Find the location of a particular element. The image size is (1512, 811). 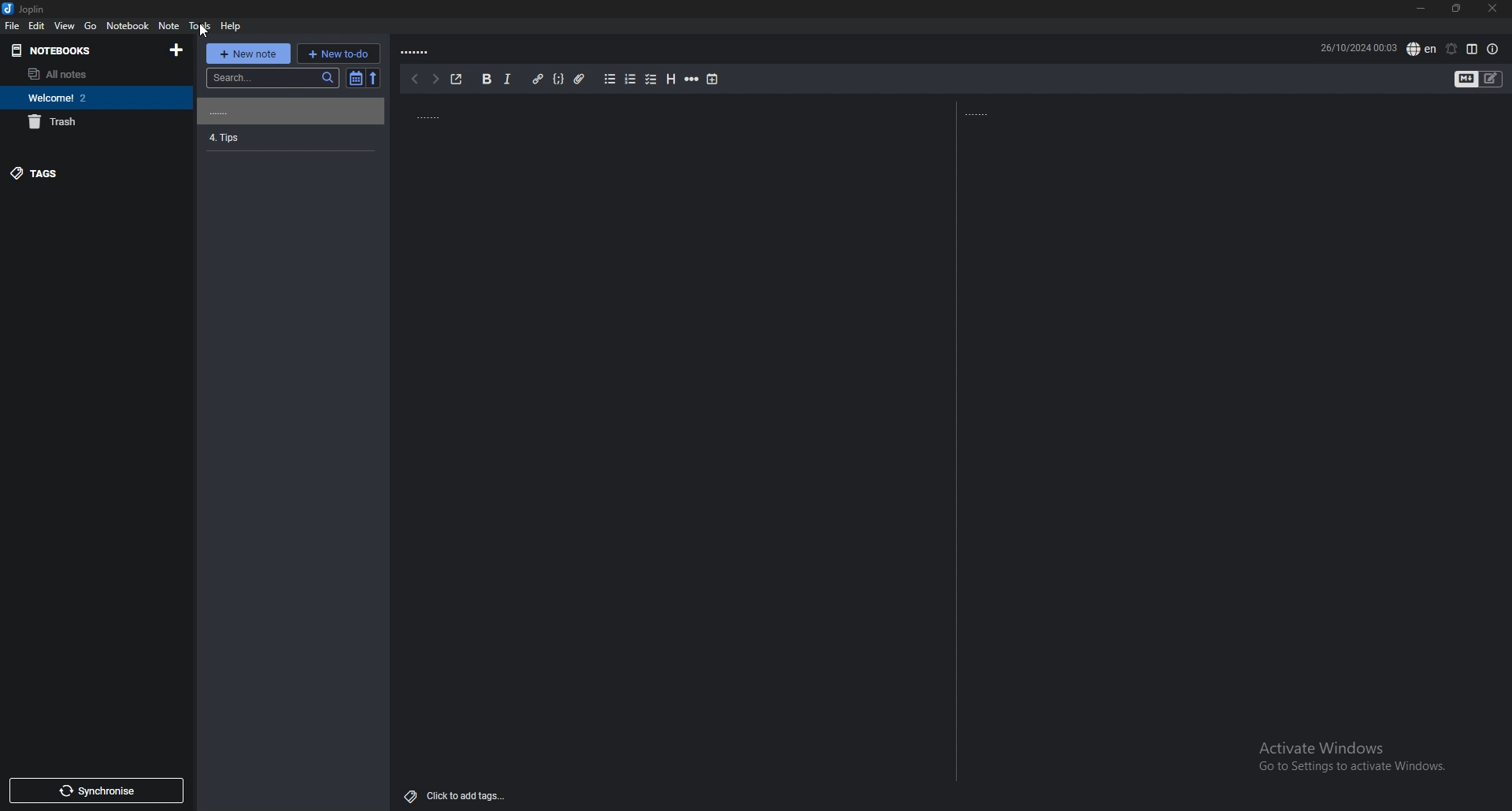

spell check is located at coordinates (1421, 48).